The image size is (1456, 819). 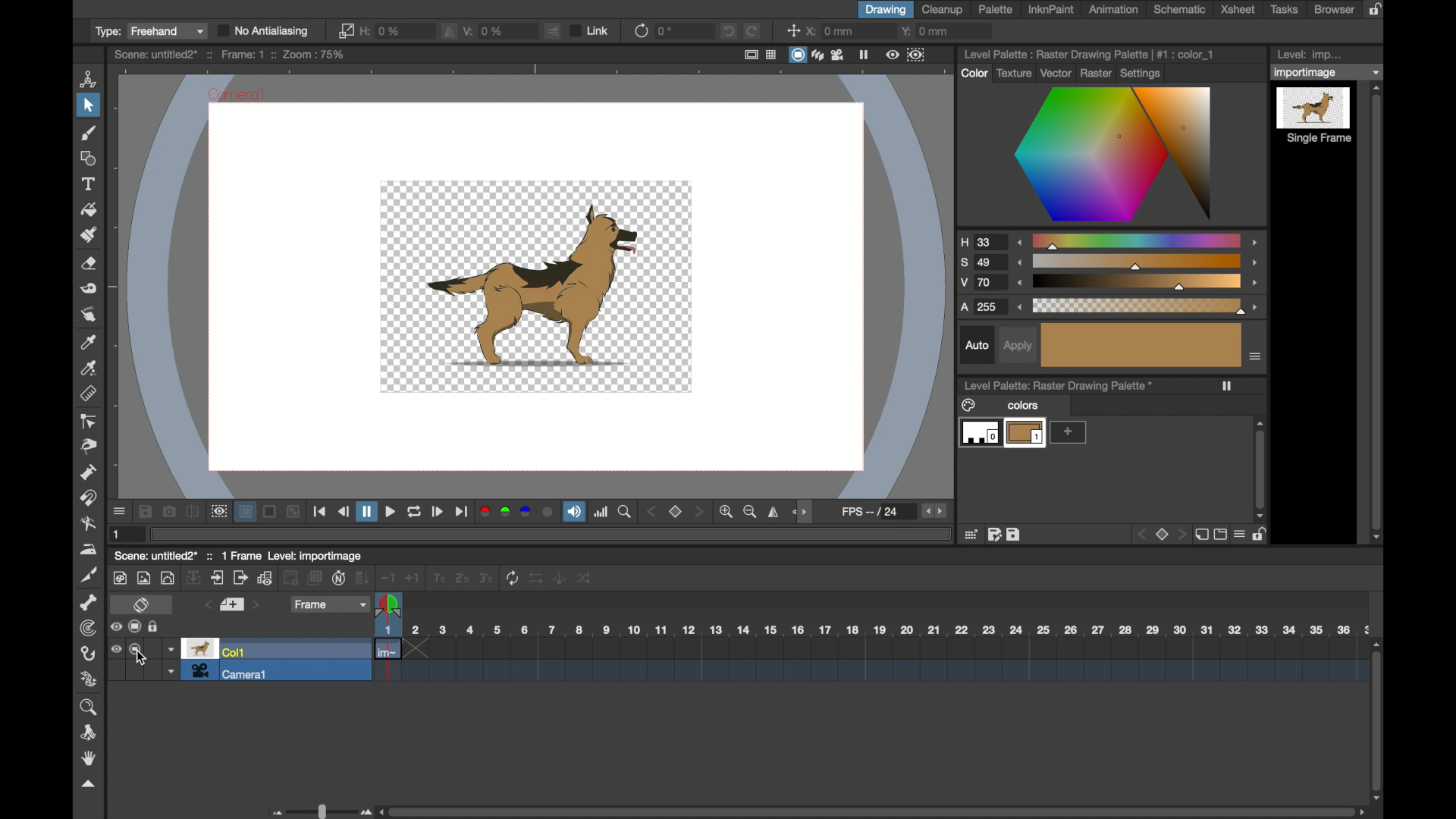 What do you see at coordinates (837, 54) in the screenshot?
I see `film` at bounding box center [837, 54].